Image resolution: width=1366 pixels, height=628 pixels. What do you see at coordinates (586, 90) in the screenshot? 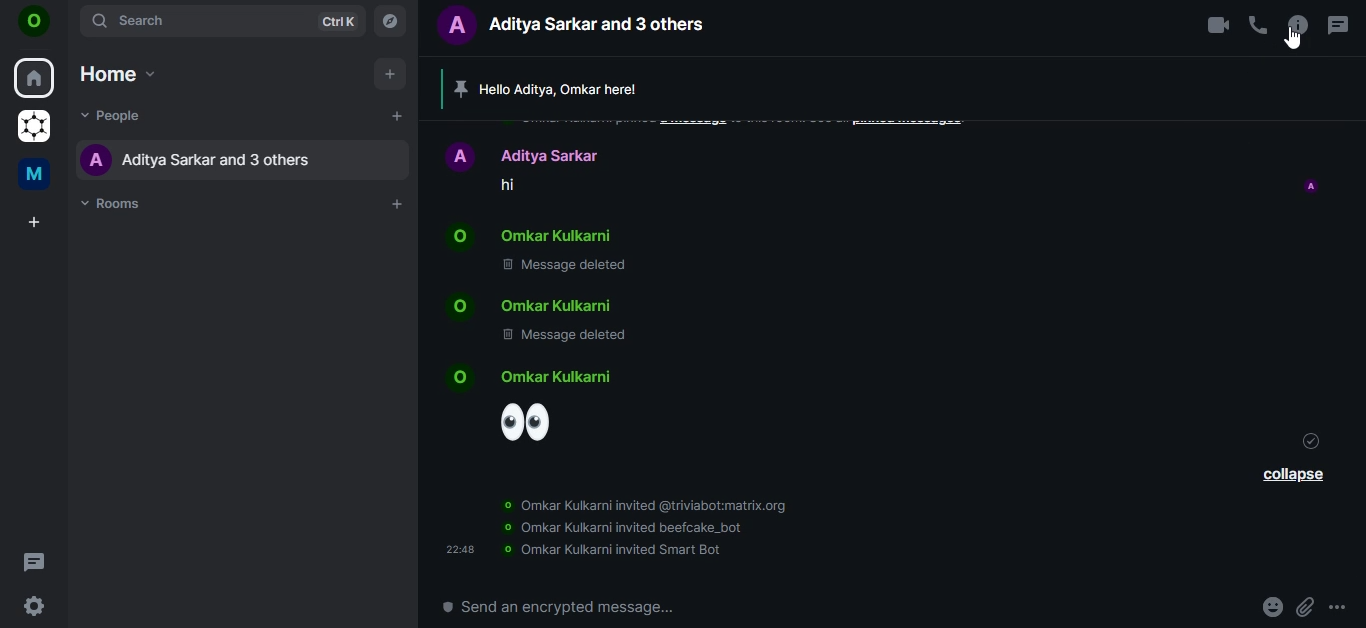
I see ` Hello Aditya, Omkar here!` at bounding box center [586, 90].